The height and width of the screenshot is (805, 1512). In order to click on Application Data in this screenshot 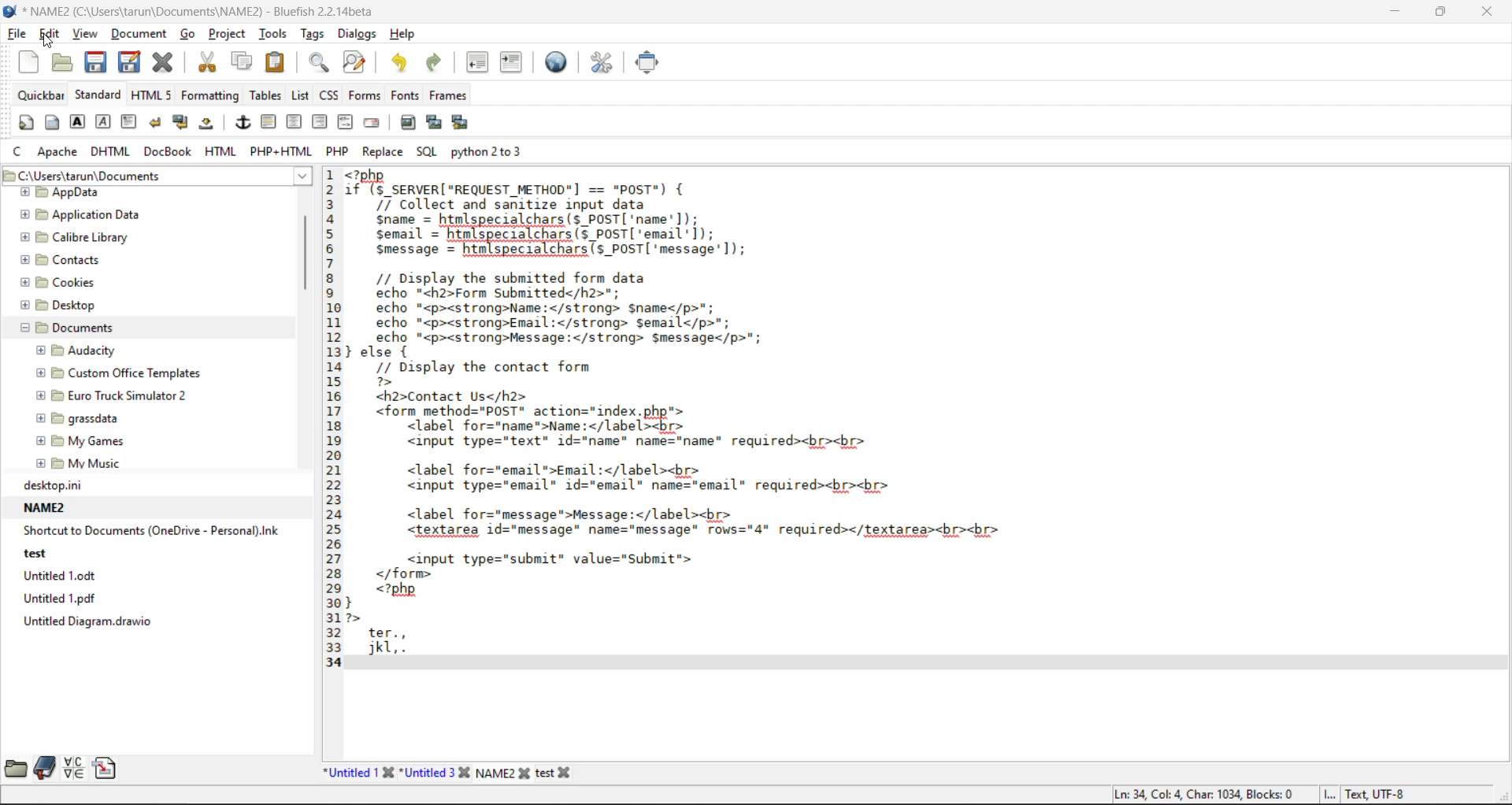, I will do `click(87, 215)`.